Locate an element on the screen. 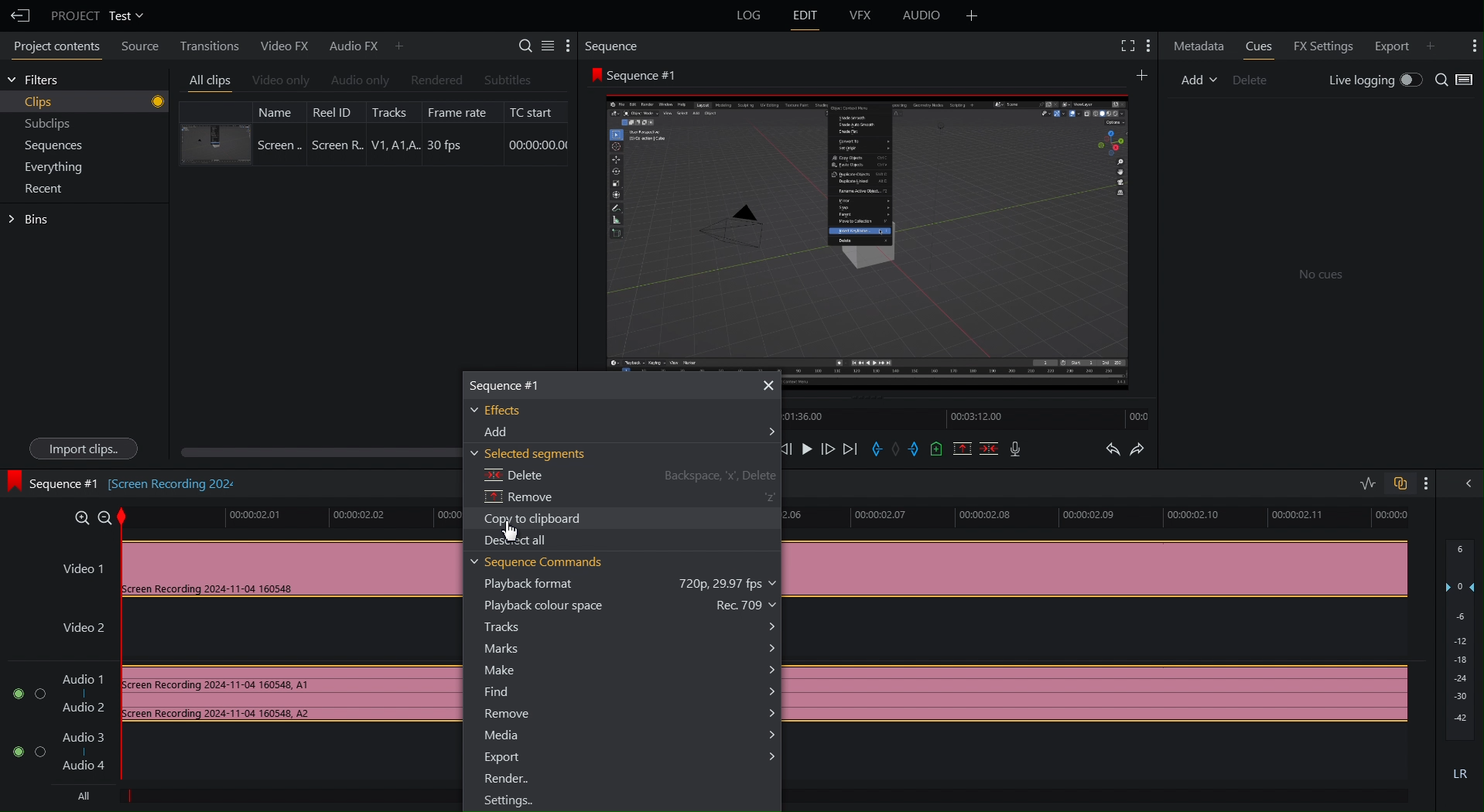 This screenshot has width=1484, height=812. Sequence is located at coordinates (616, 47).